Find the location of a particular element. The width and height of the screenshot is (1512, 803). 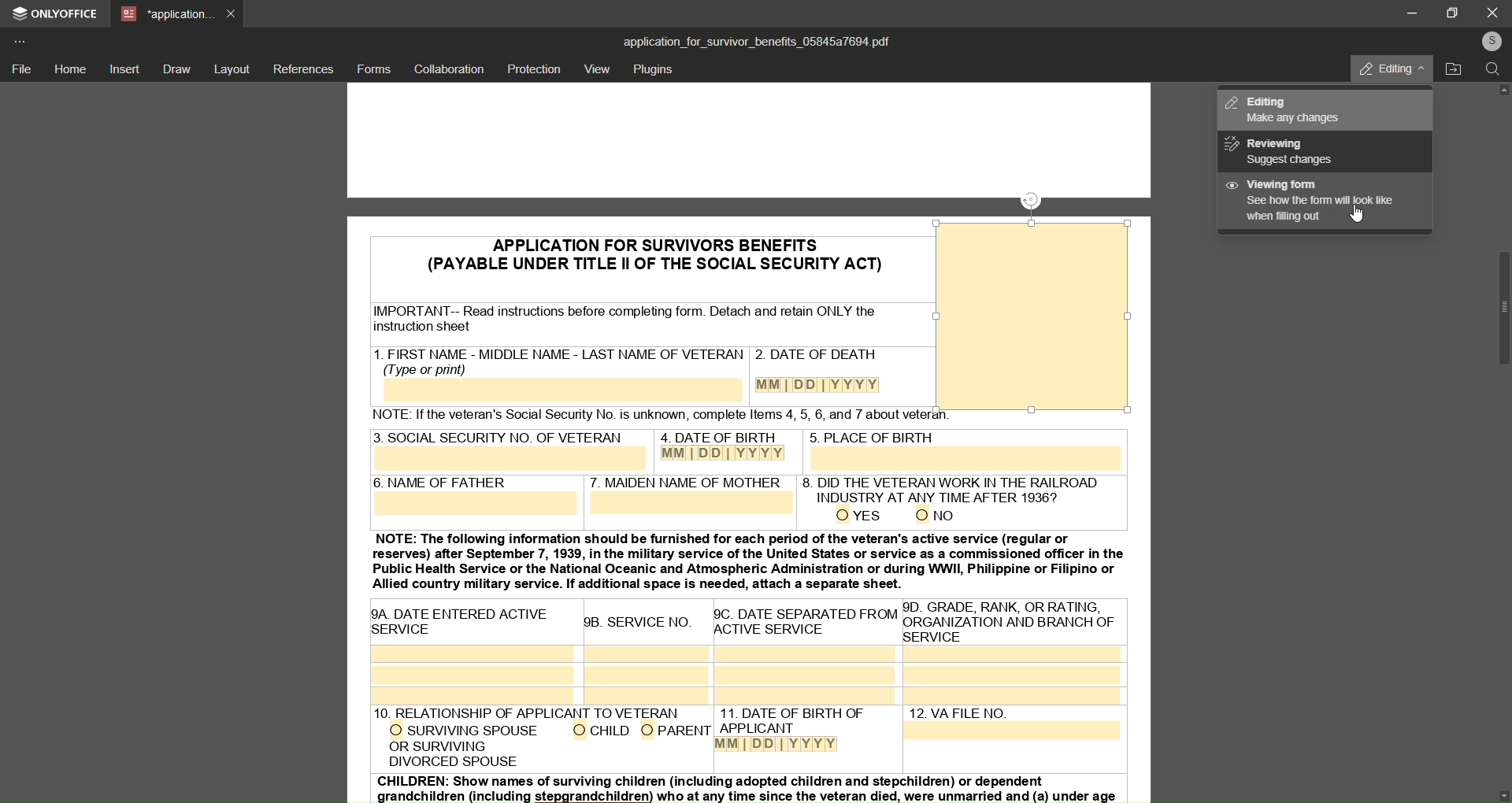

forms is located at coordinates (373, 68).